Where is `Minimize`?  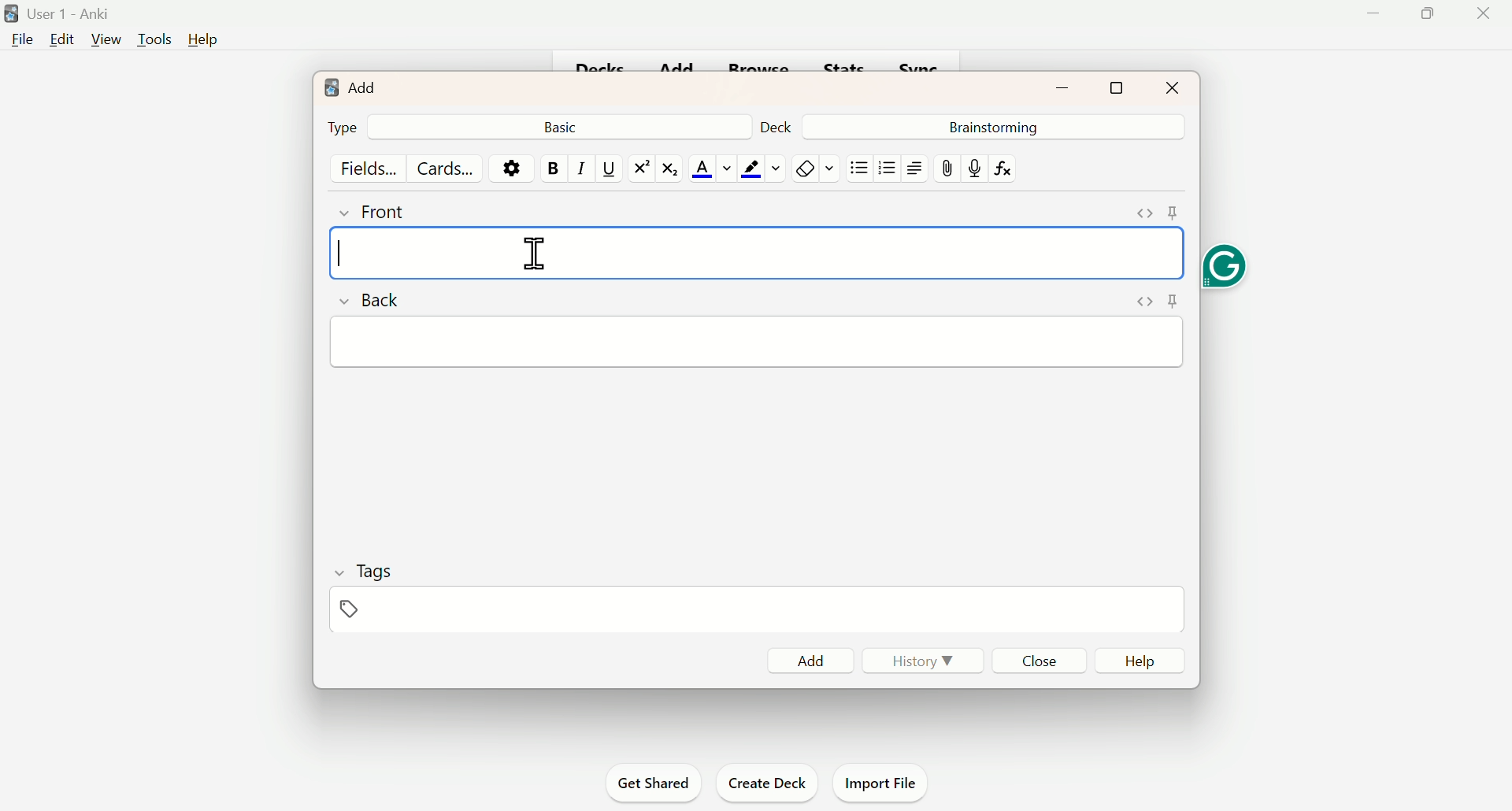
Minimize is located at coordinates (1065, 86).